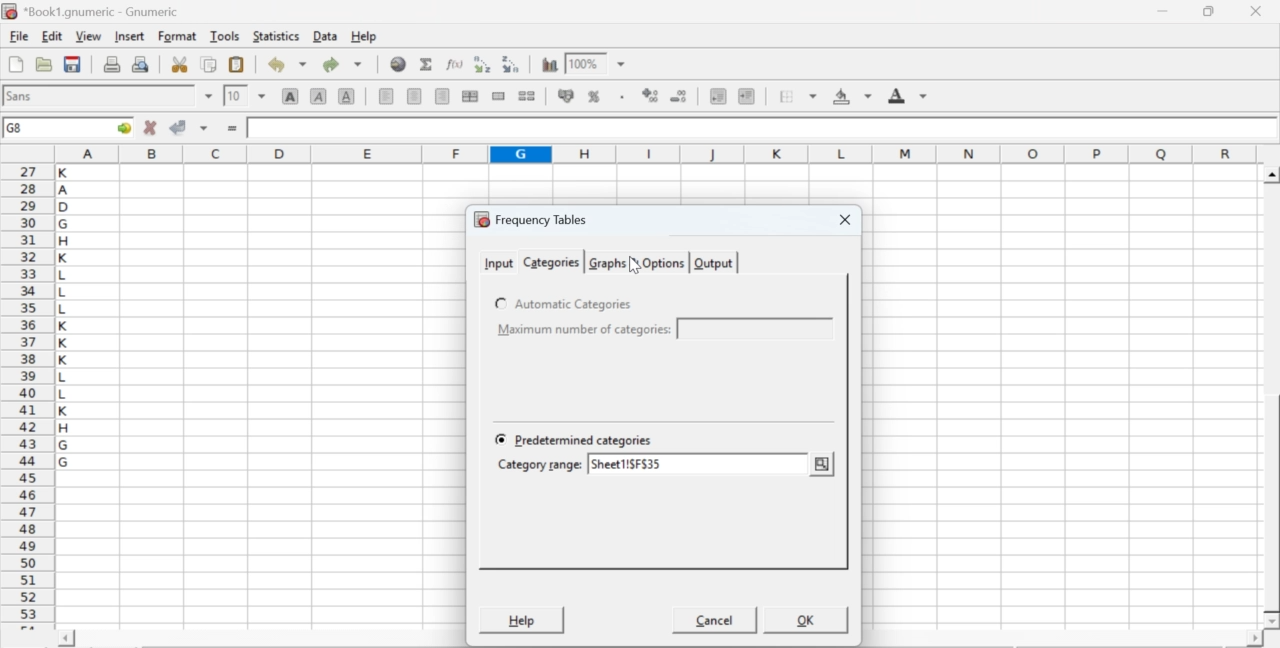  Describe the element at coordinates (52, 36) in the screenshot. I see `edit` at that location.